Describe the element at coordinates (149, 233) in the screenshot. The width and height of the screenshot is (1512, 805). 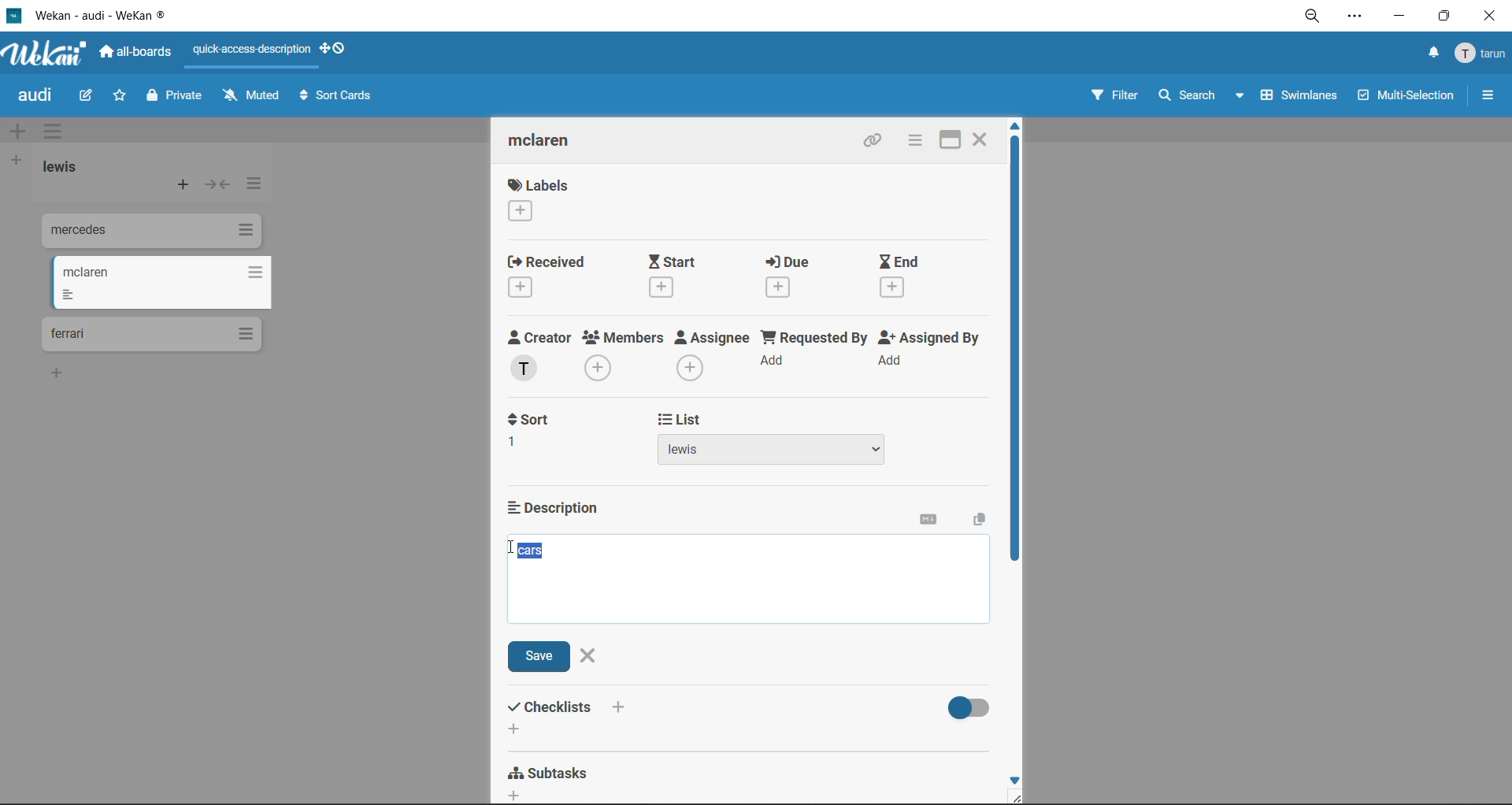
I see `cards` at that location.